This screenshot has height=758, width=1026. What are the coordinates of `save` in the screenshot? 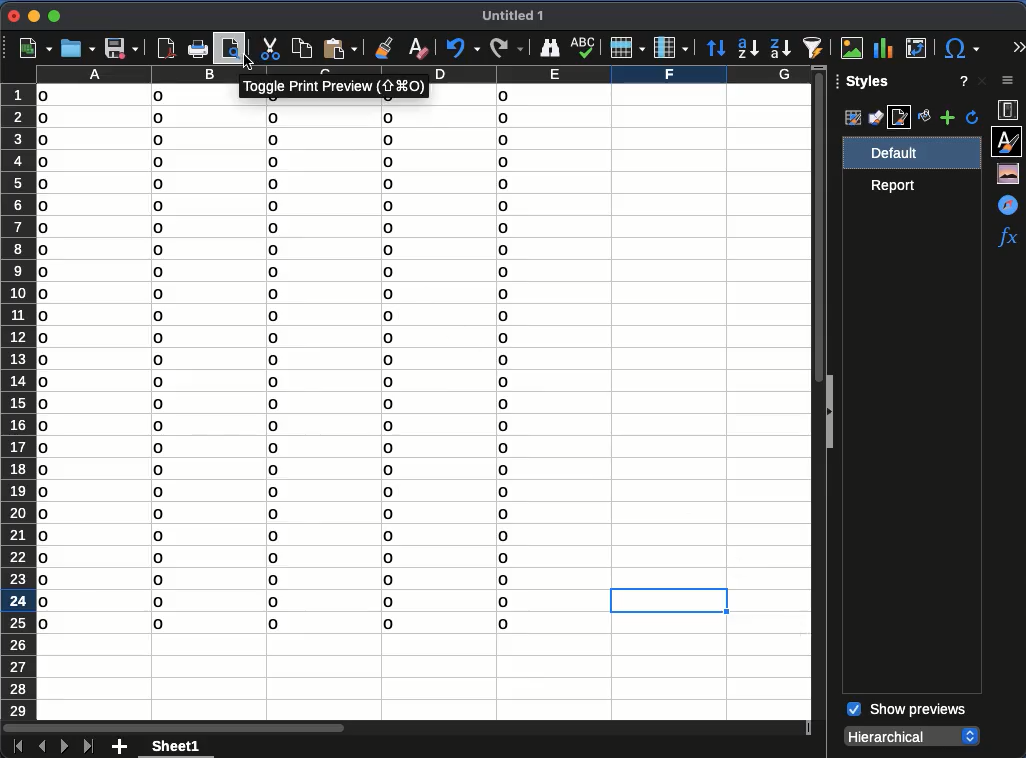 It's located at (120, 49).